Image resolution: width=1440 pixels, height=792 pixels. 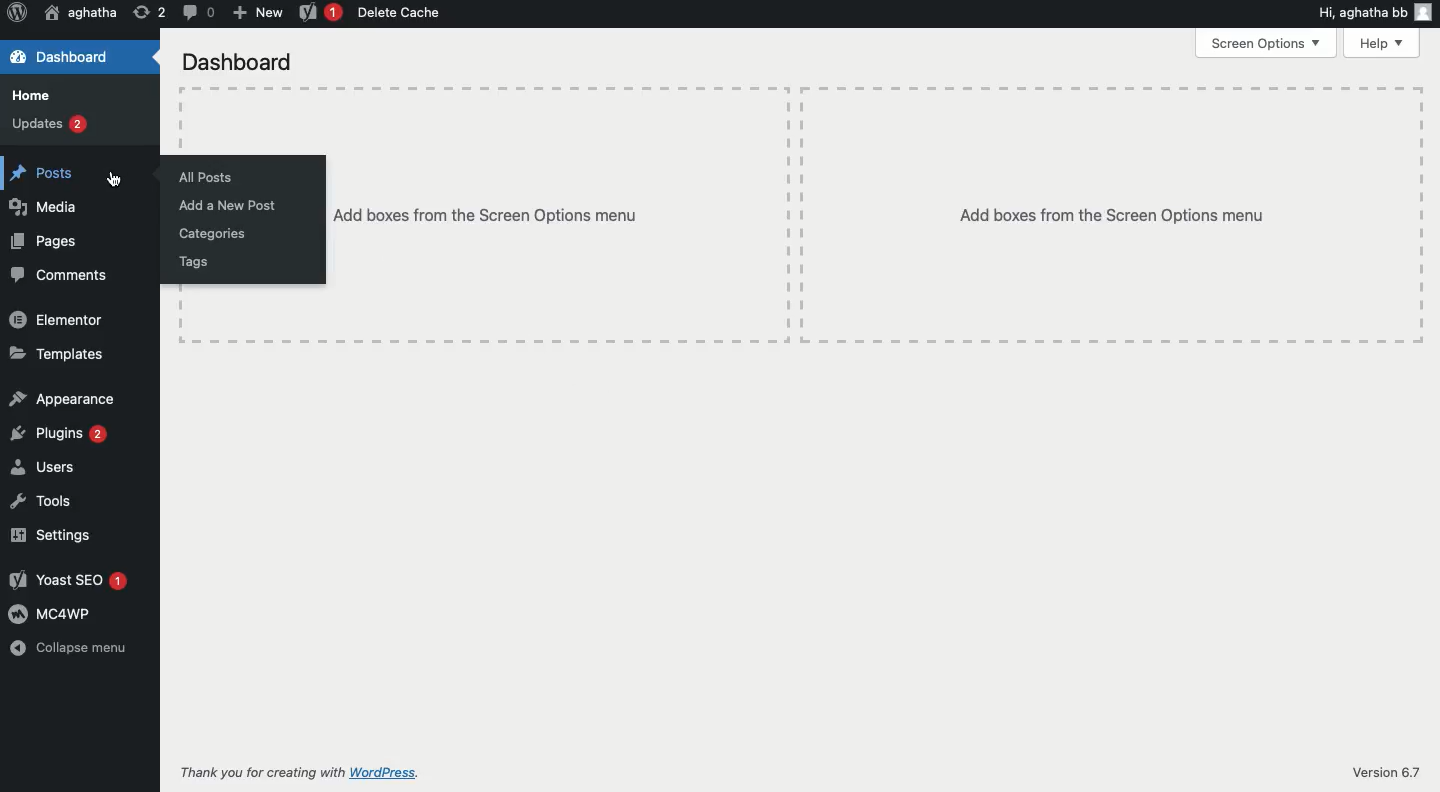 I want to click on Home, so click(x=31, y=94).